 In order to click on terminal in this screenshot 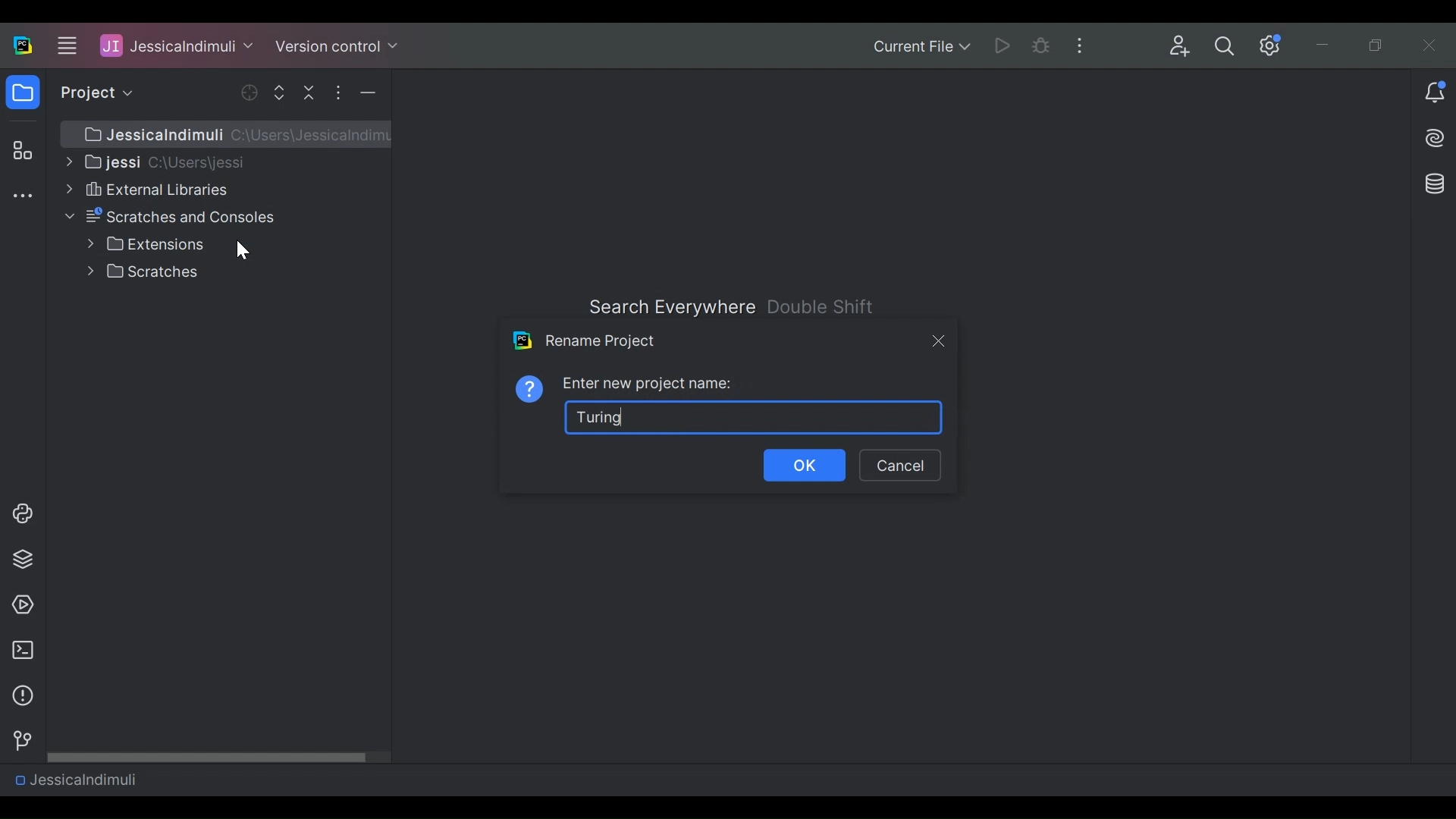, I will do `click(18, 651)`.